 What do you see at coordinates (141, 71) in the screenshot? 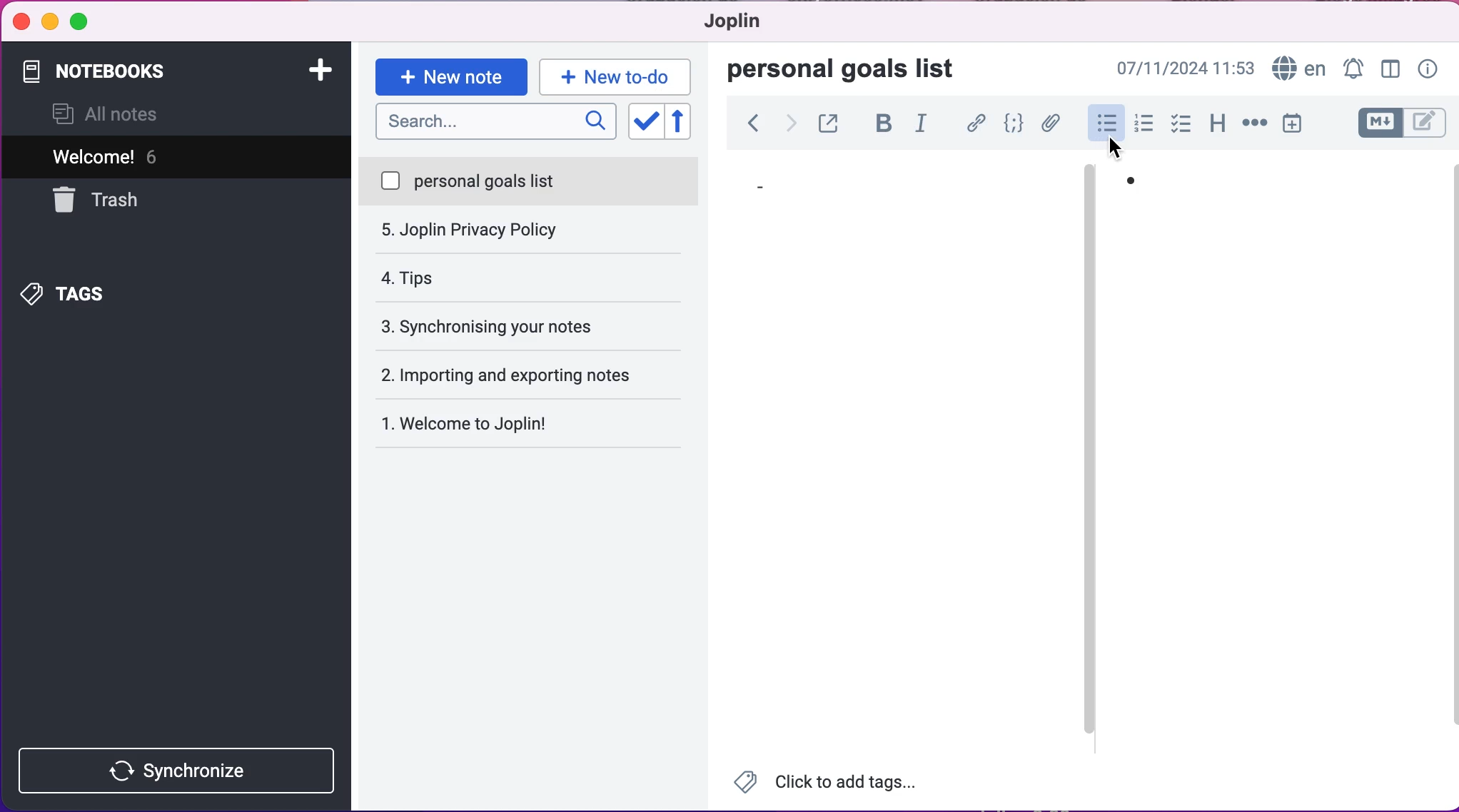
I see `notebooks` at bounding box center [141, 71].